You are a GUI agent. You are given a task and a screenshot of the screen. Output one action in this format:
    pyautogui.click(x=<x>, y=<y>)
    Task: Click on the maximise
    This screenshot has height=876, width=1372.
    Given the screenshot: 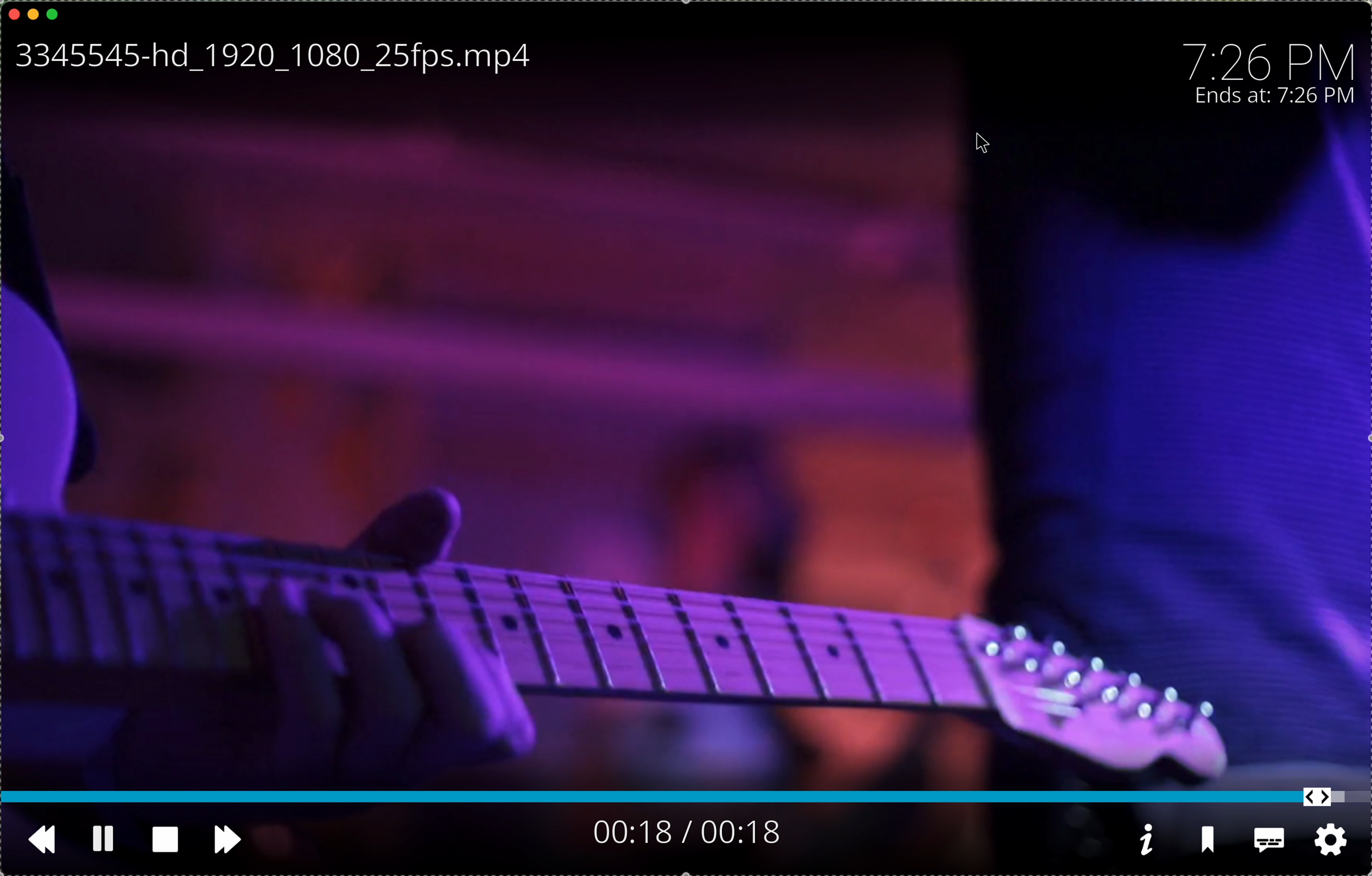 What is the action you would take?
    pyautogui.click(x=54, y=14)
    